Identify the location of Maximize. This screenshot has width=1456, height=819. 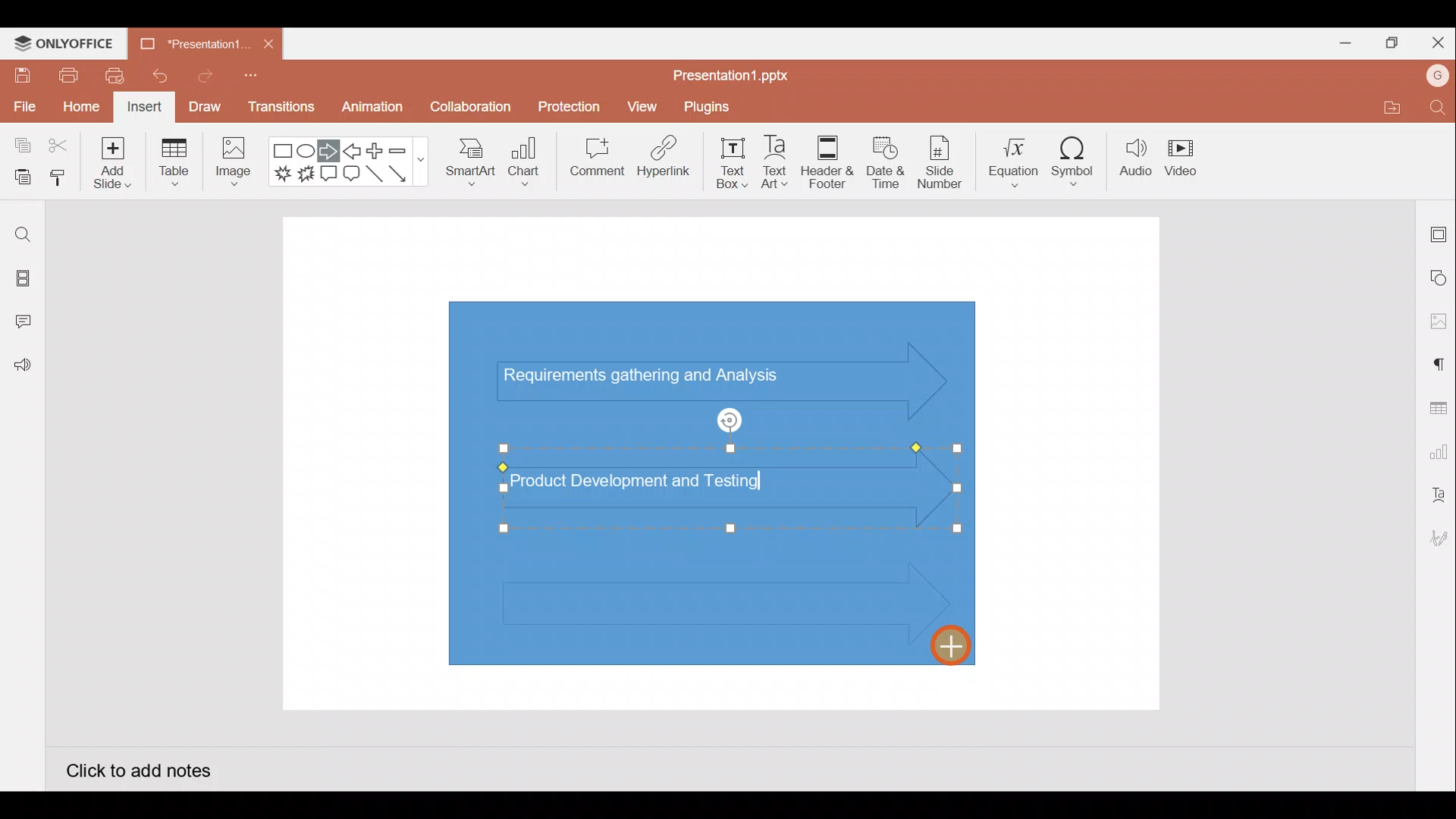
(1388, 43).